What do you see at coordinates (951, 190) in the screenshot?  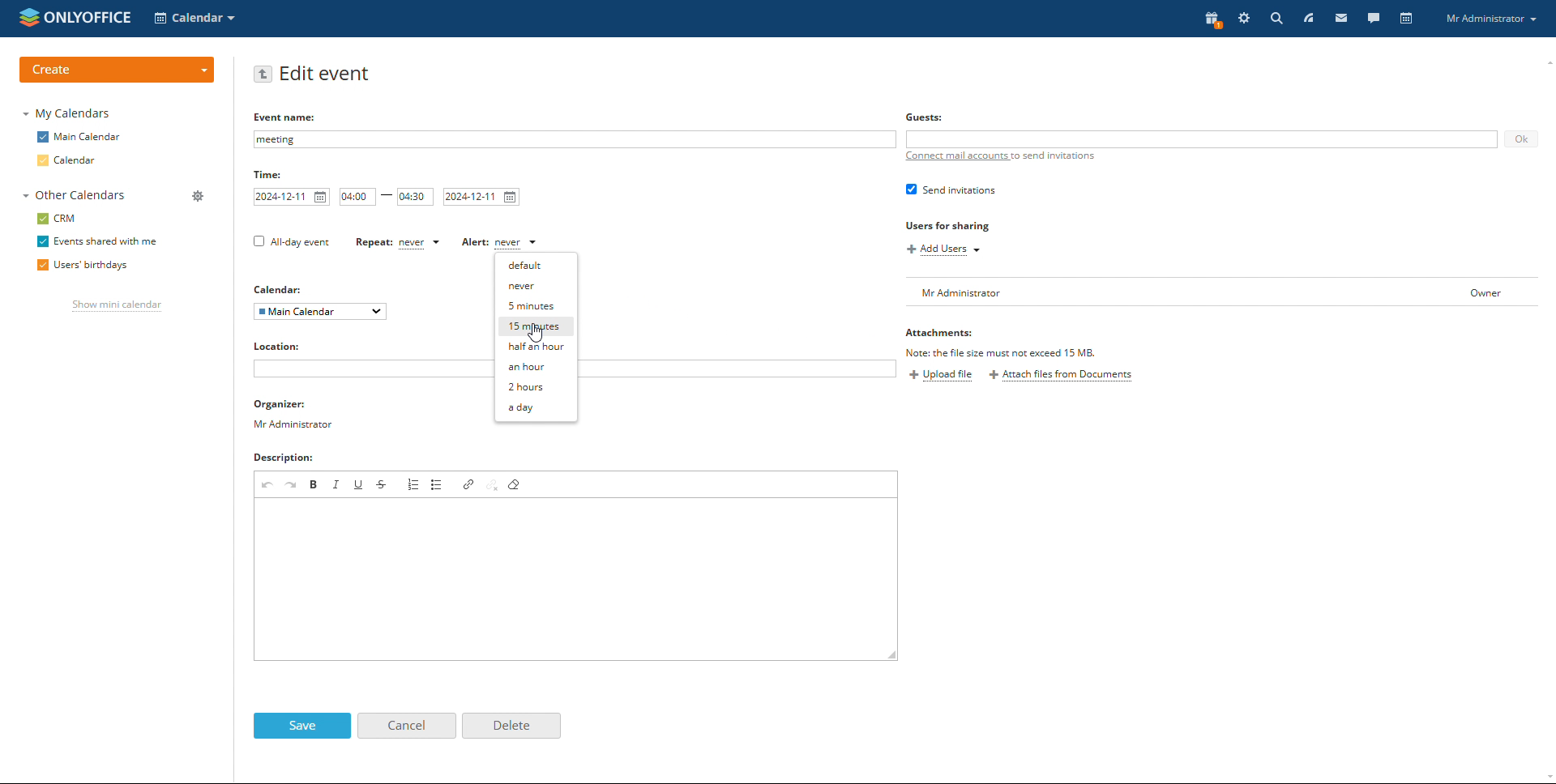 I see `send invitations` at bounding box center [951, 190].